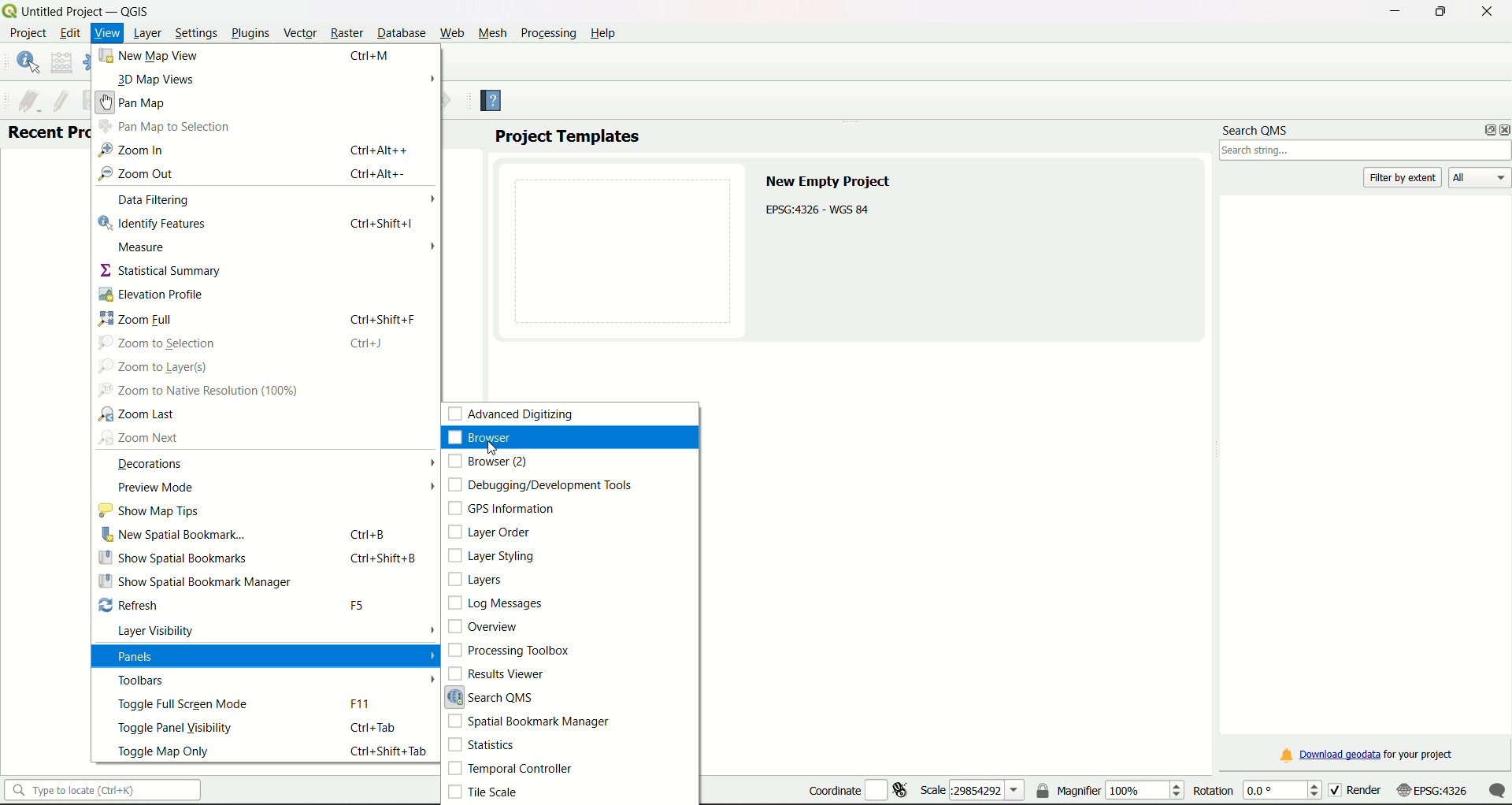  Describe the element at coordinates (385, 559) in the screenshot. I see `Ctrl+Shift+B` at that location.